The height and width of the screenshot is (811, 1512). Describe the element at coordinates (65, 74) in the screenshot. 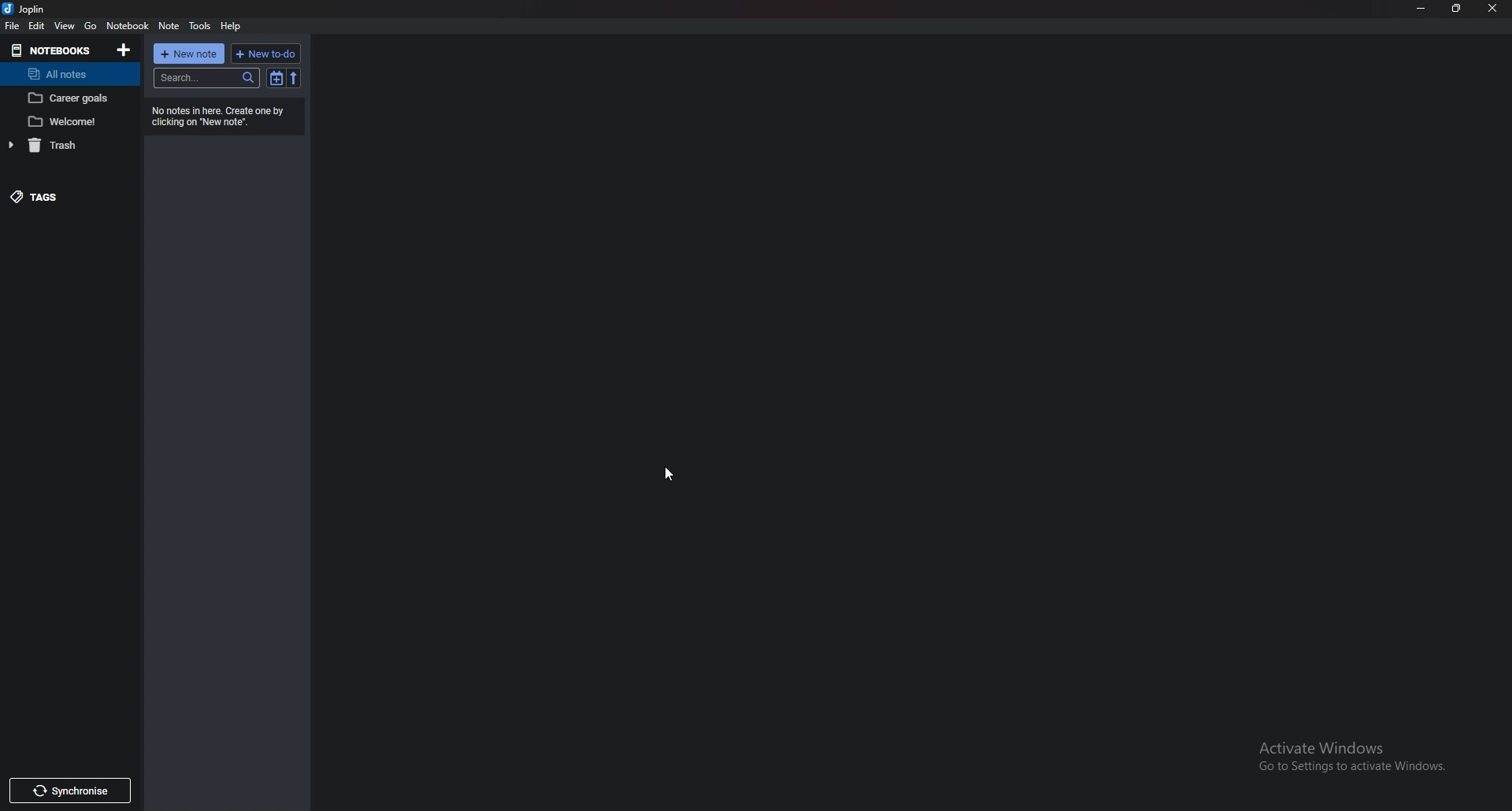

I see `all notes` at that location.